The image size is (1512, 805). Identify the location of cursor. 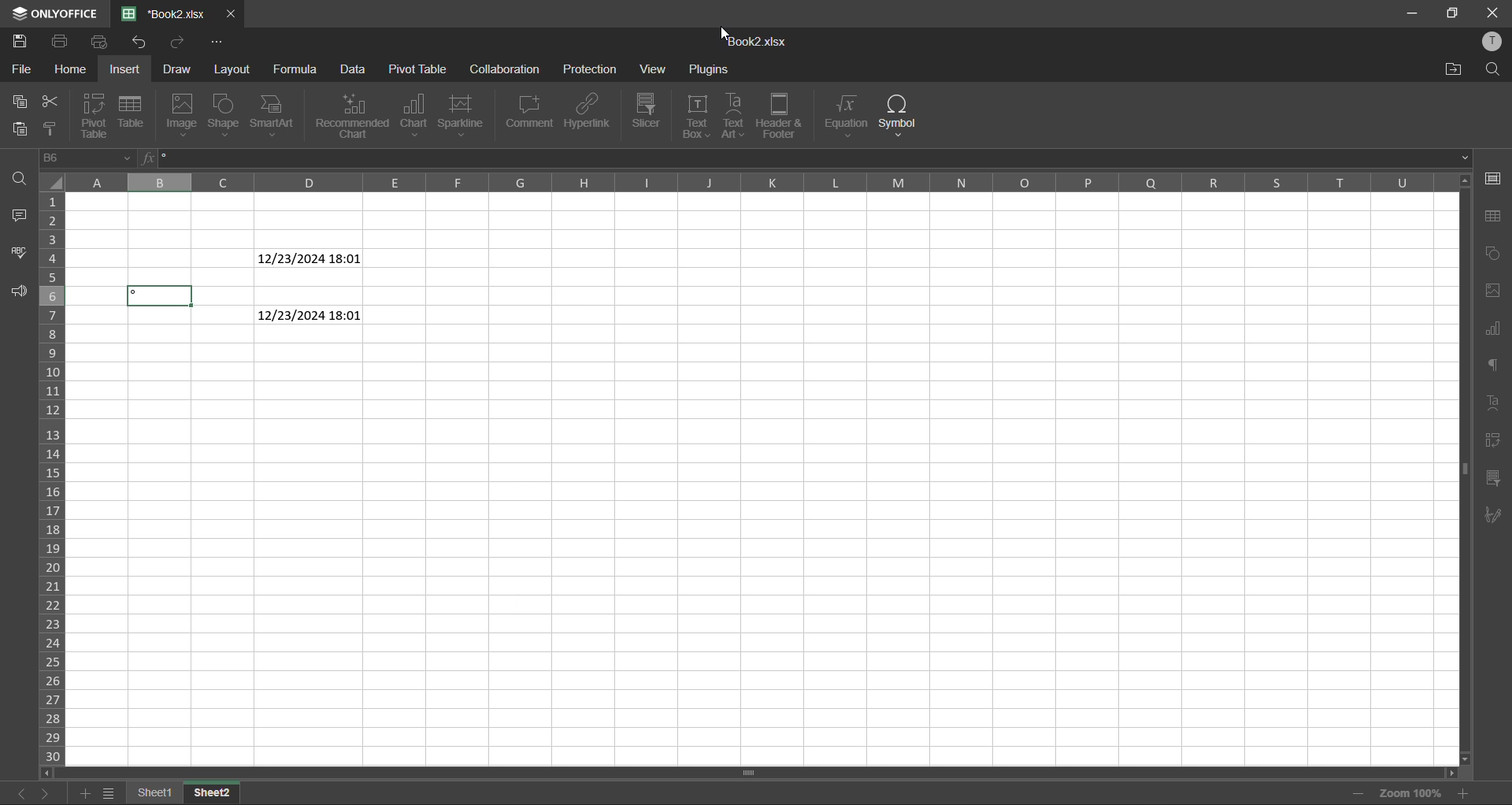
(723, 31).